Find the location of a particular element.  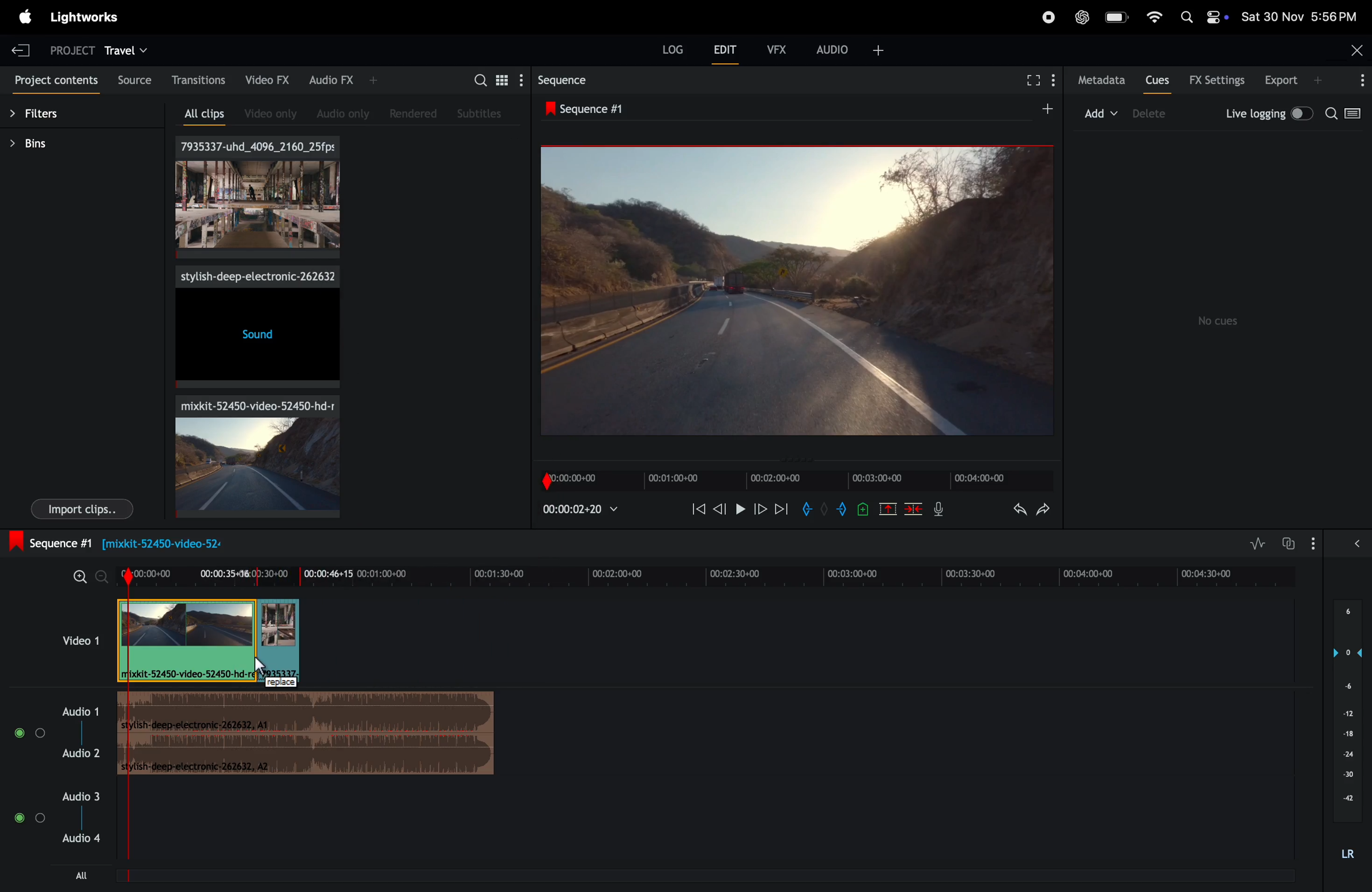

light works is located at coordinates (88, 18).